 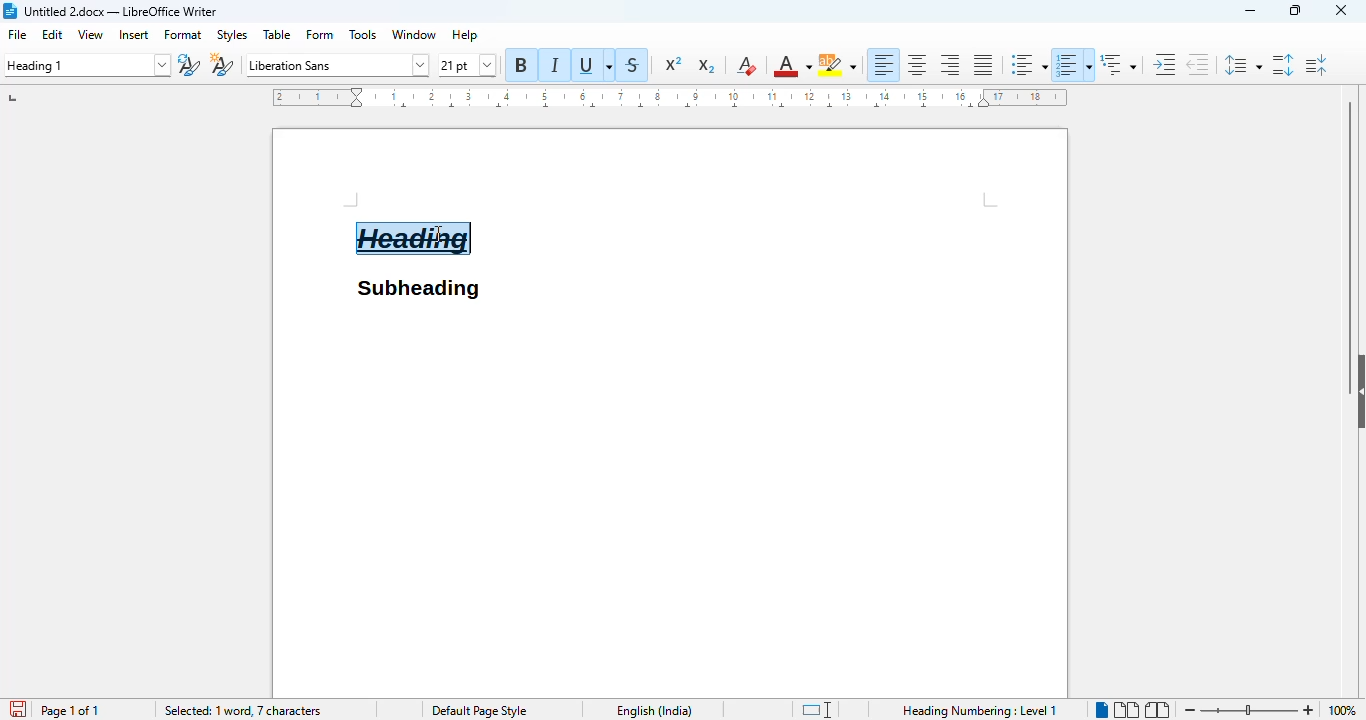 What do you see at coordinates (134, 34) in the screenshot?
I see `insert` at bounding box center [134, 34].